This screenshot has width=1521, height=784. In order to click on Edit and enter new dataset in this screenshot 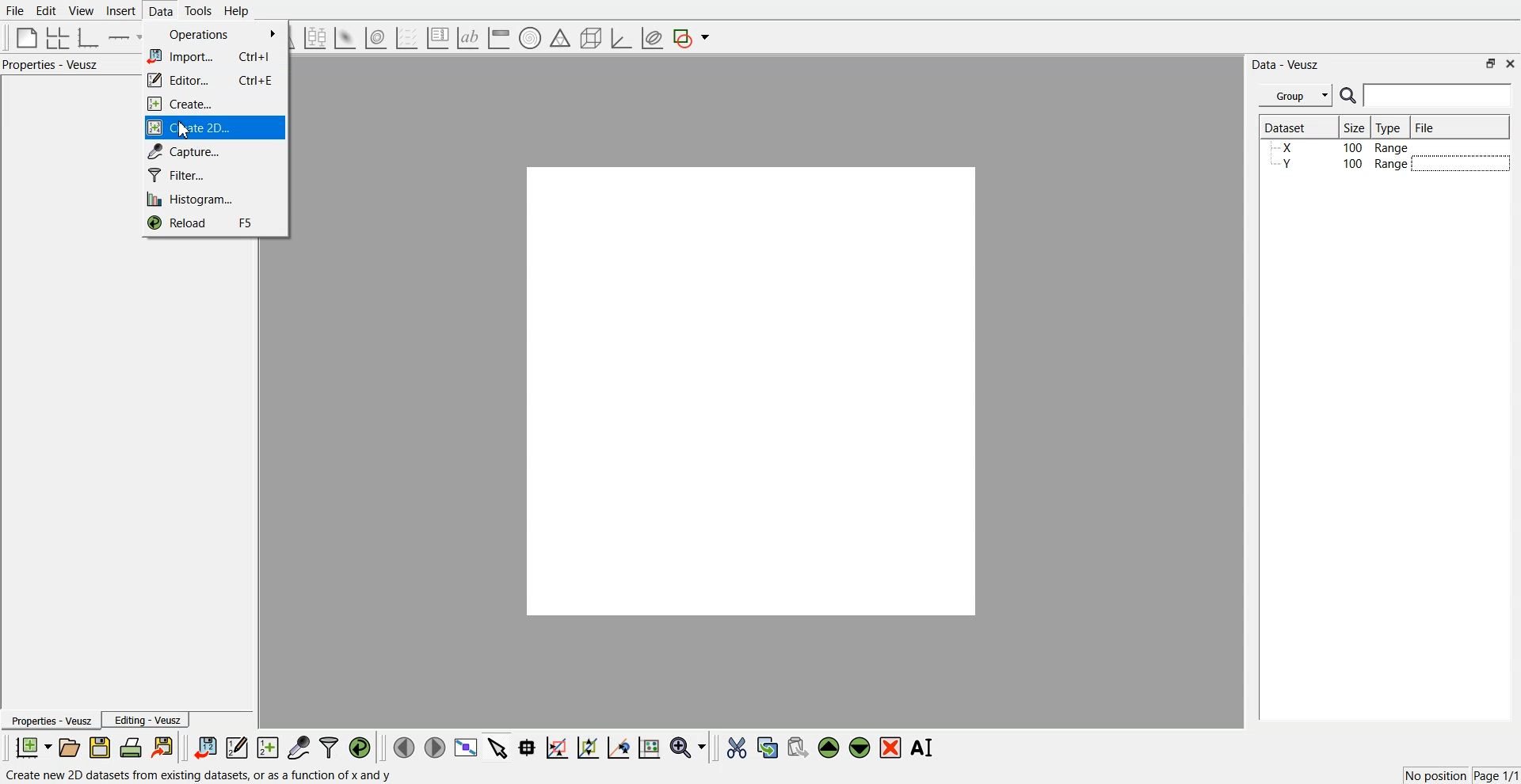, I will do `click(236, 747)`.